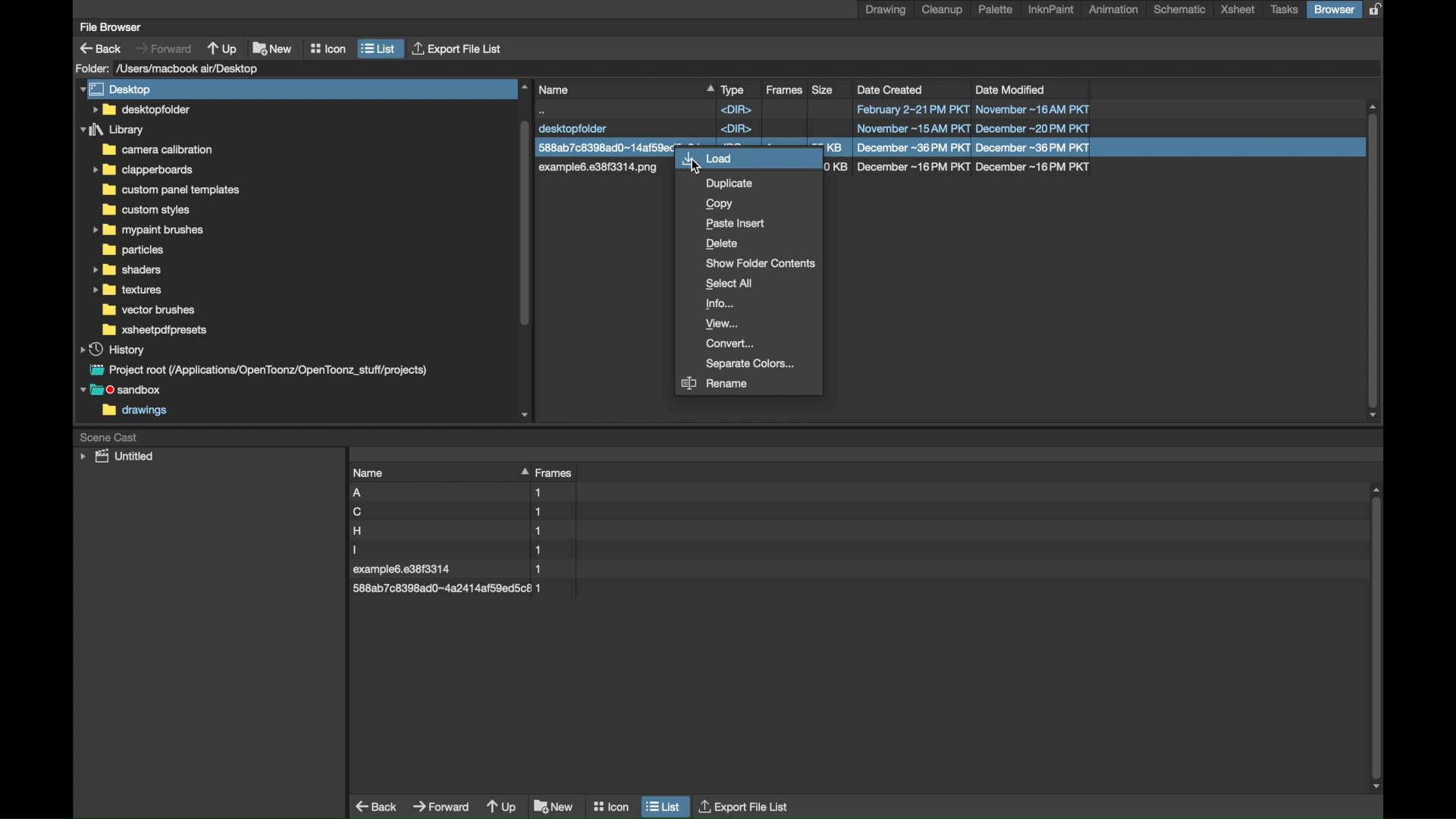 The width and height of the screenshot is (1456, 819). What do you see at coordinates (786, 90) in the screenshot?
I see `frames` at bounding box center [786, 90].